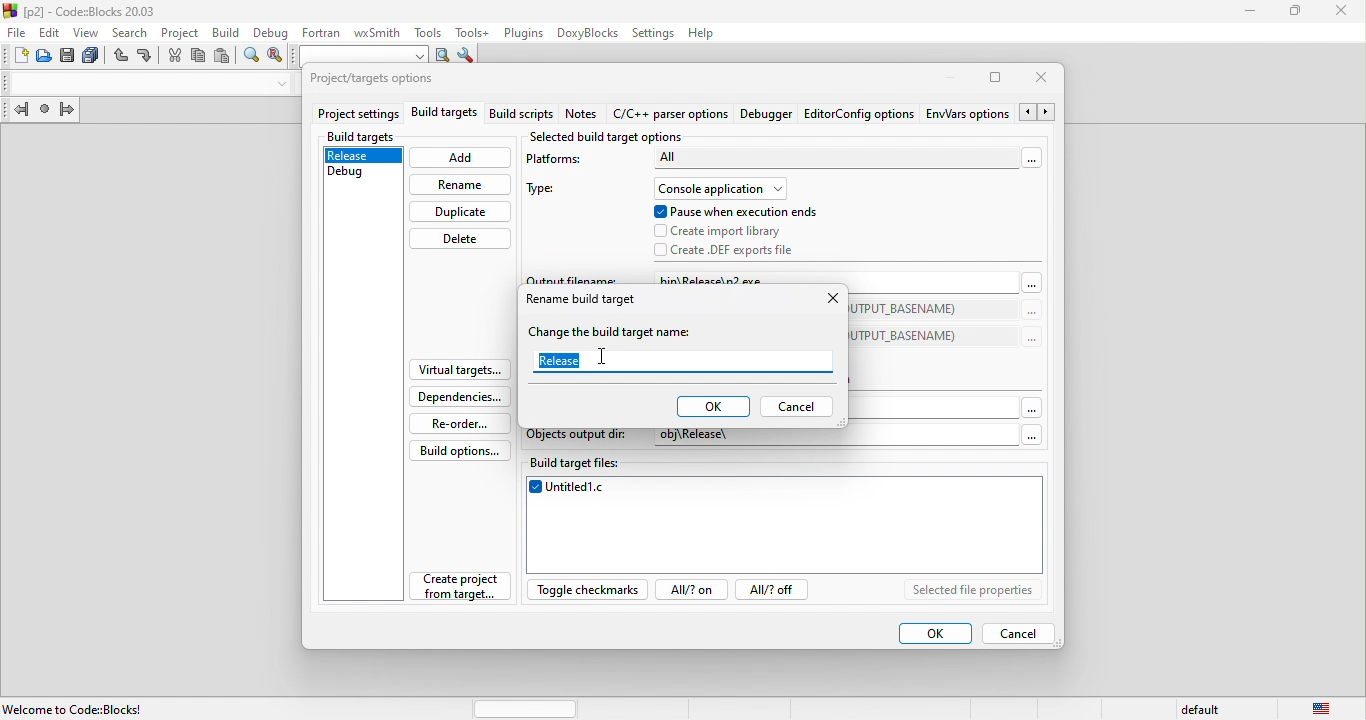 This screenshot has width=1366, height=720. Describe the element at coordinates (122, 58) in the screenshot. I see `undo` at that location.